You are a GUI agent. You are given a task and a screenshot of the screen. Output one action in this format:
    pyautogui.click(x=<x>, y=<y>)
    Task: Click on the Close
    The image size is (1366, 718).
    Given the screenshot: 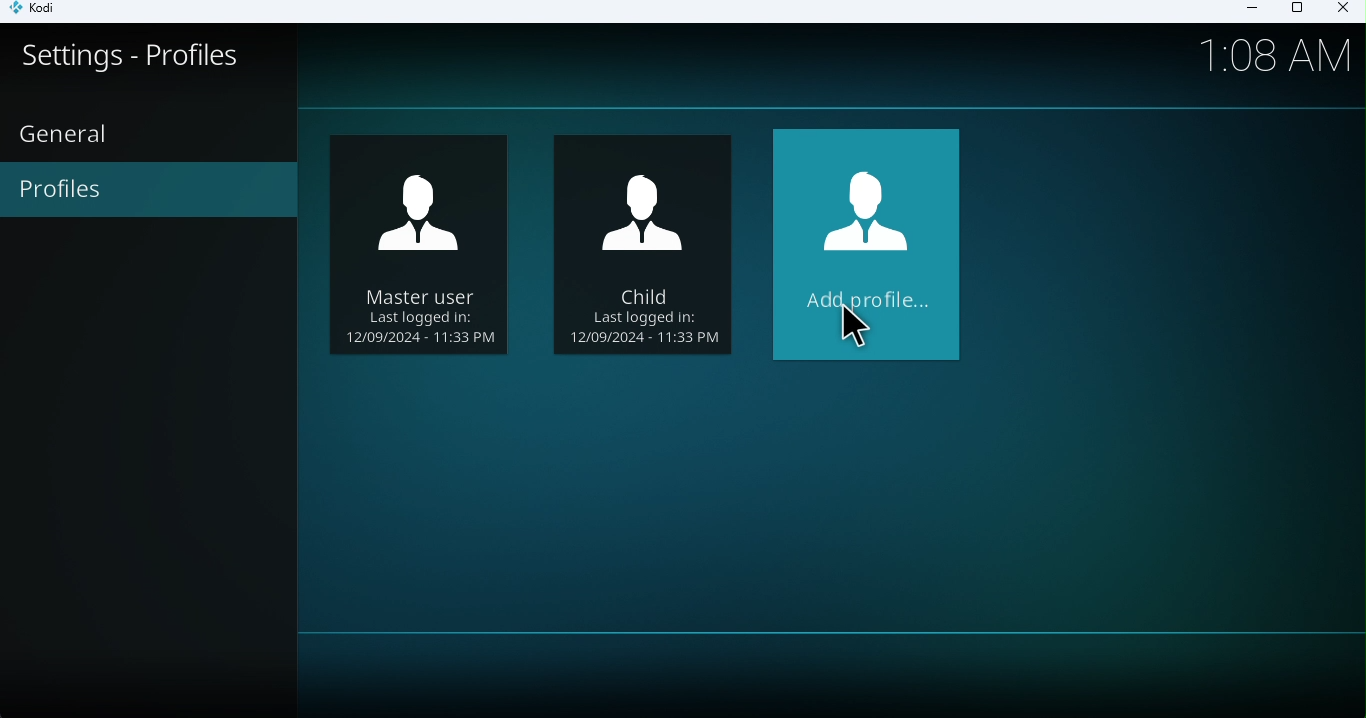 What is the action you would take?
    pyautogui.click(x=1340, y=11)
    